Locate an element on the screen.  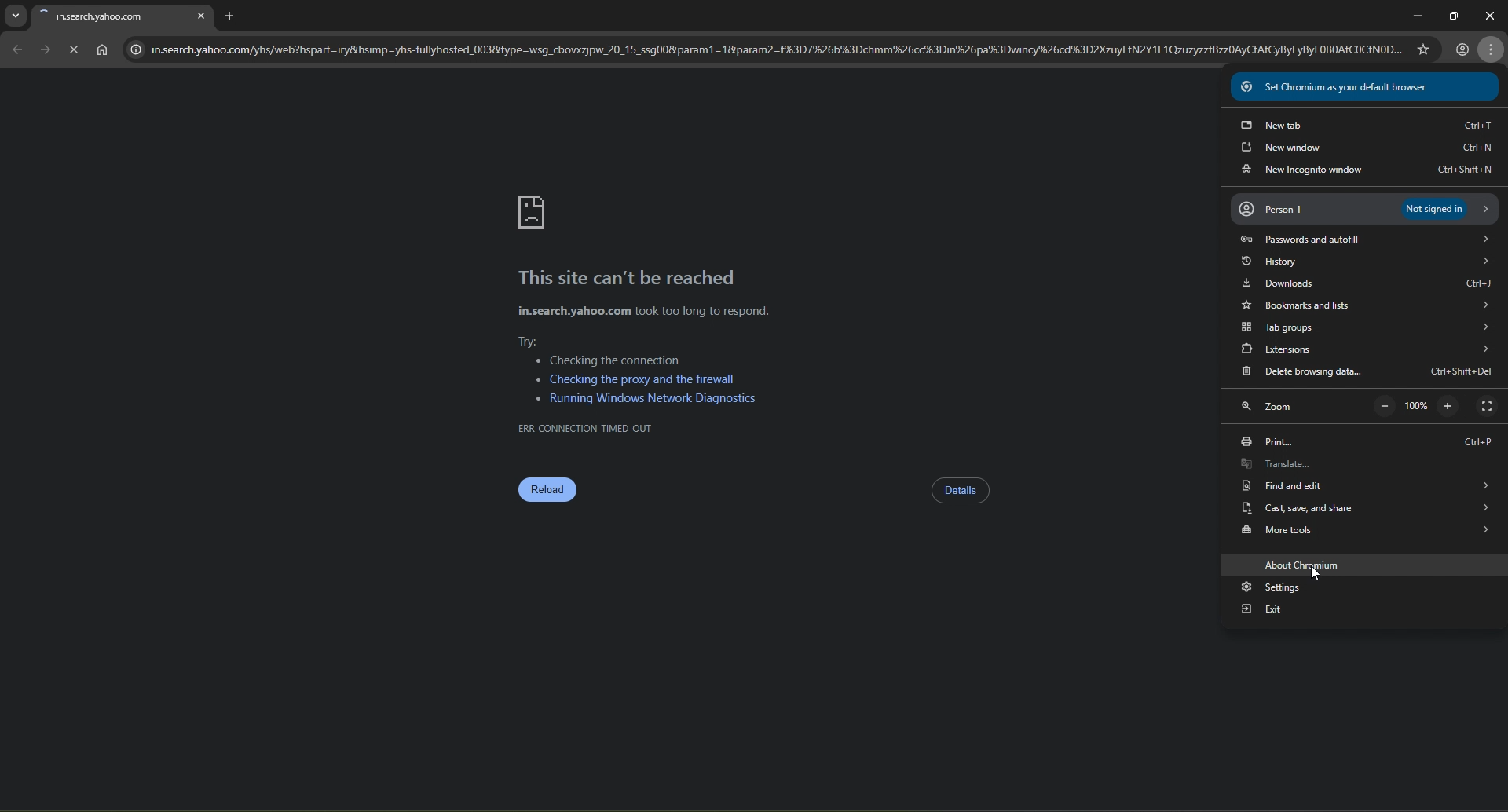
zoom in is located at coordinates (1452, 405).